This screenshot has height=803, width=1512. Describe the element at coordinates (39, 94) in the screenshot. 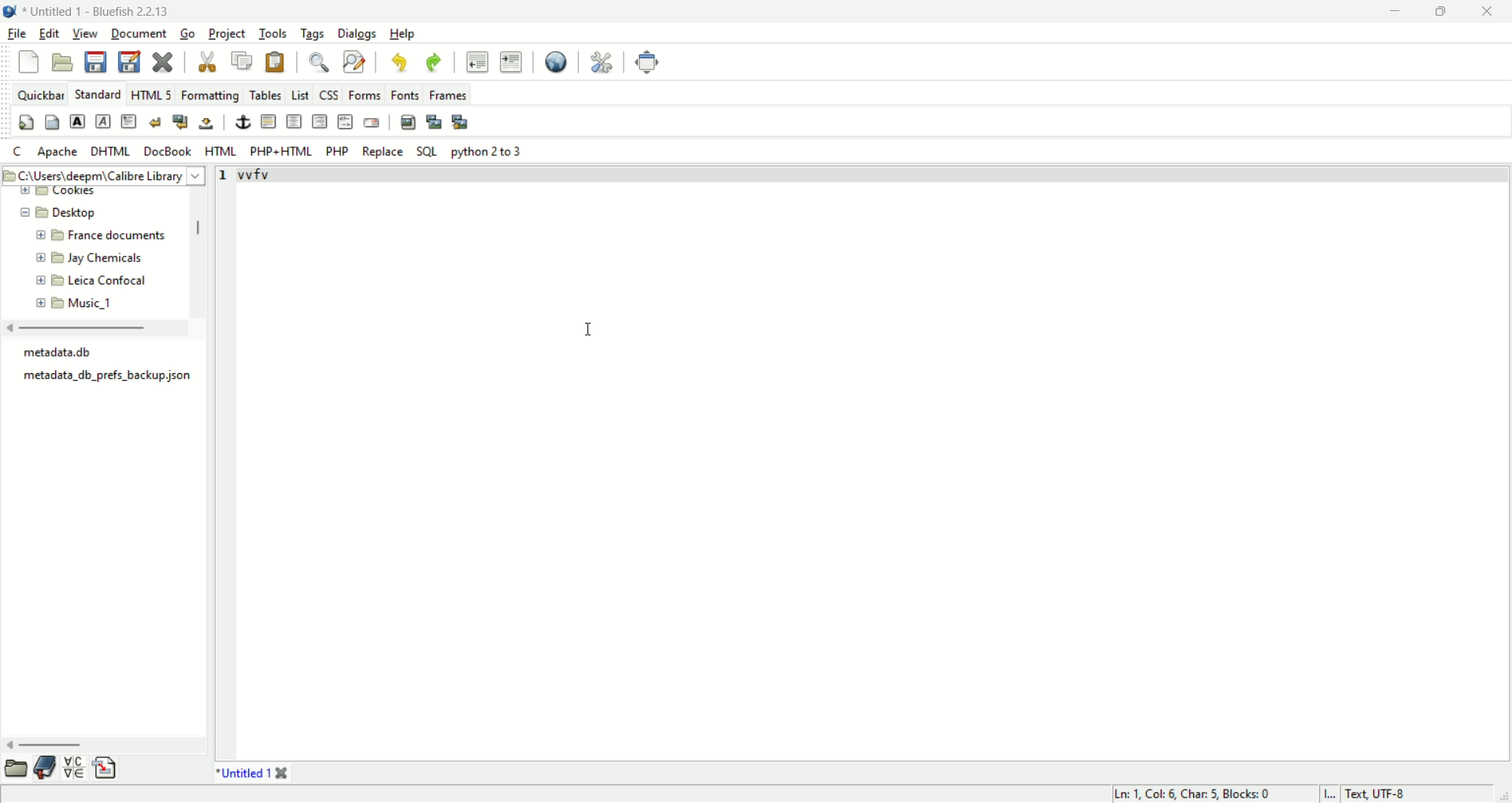

I see `quickbar` at that location.